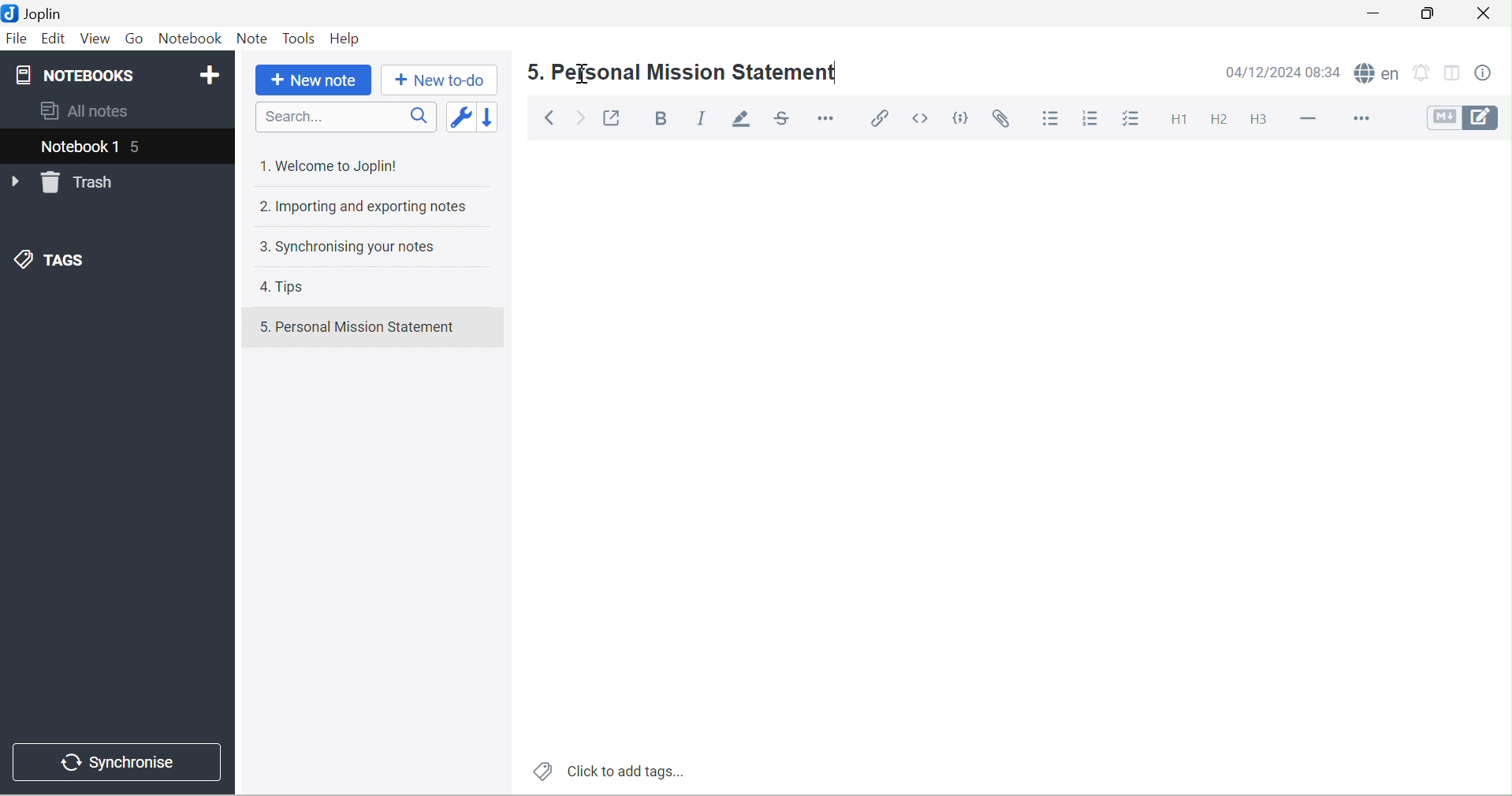  I want to click on Add notebook, so click(210, 76).